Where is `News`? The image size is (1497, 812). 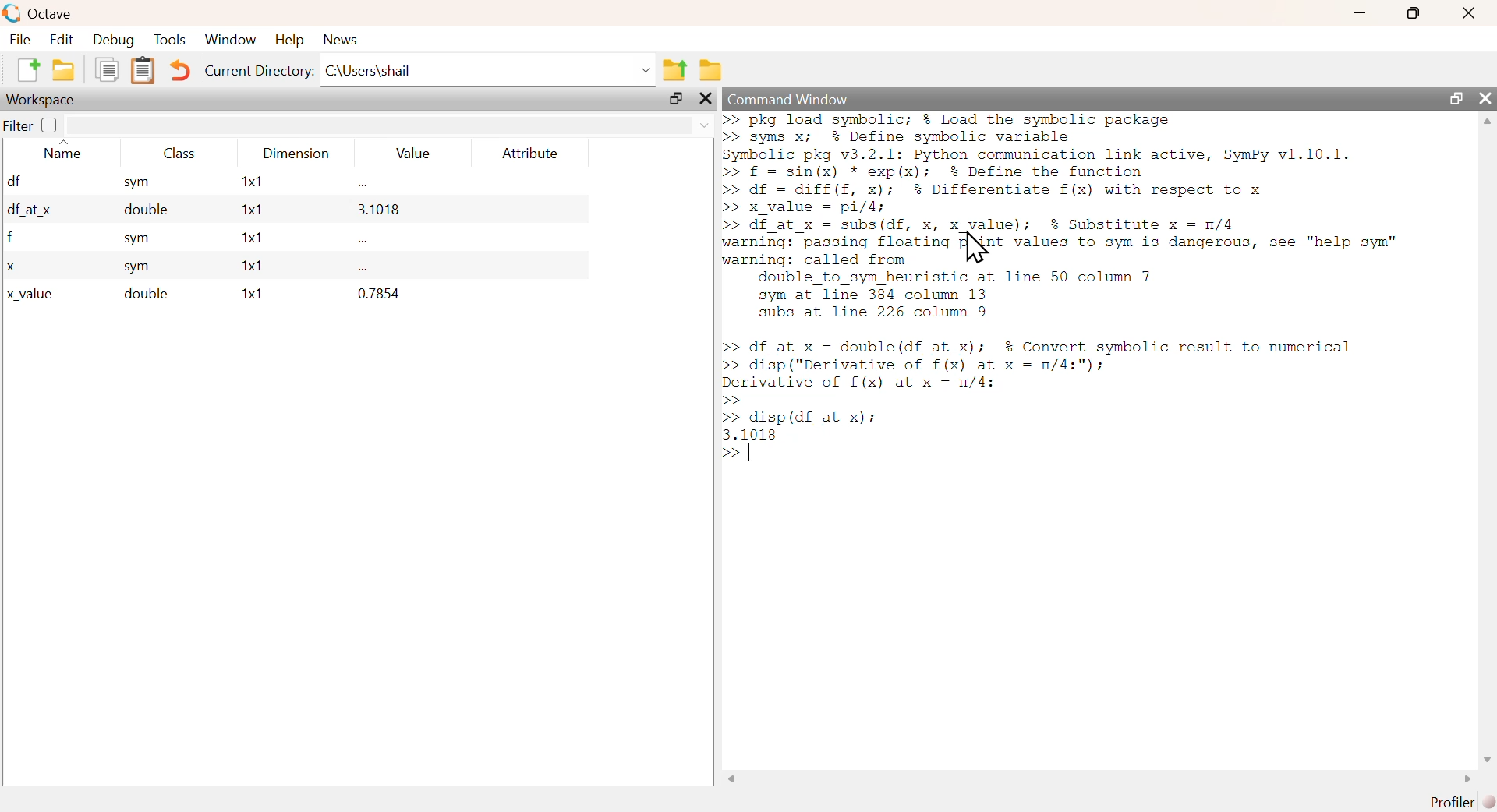 News is located at coordinates (341, 40).